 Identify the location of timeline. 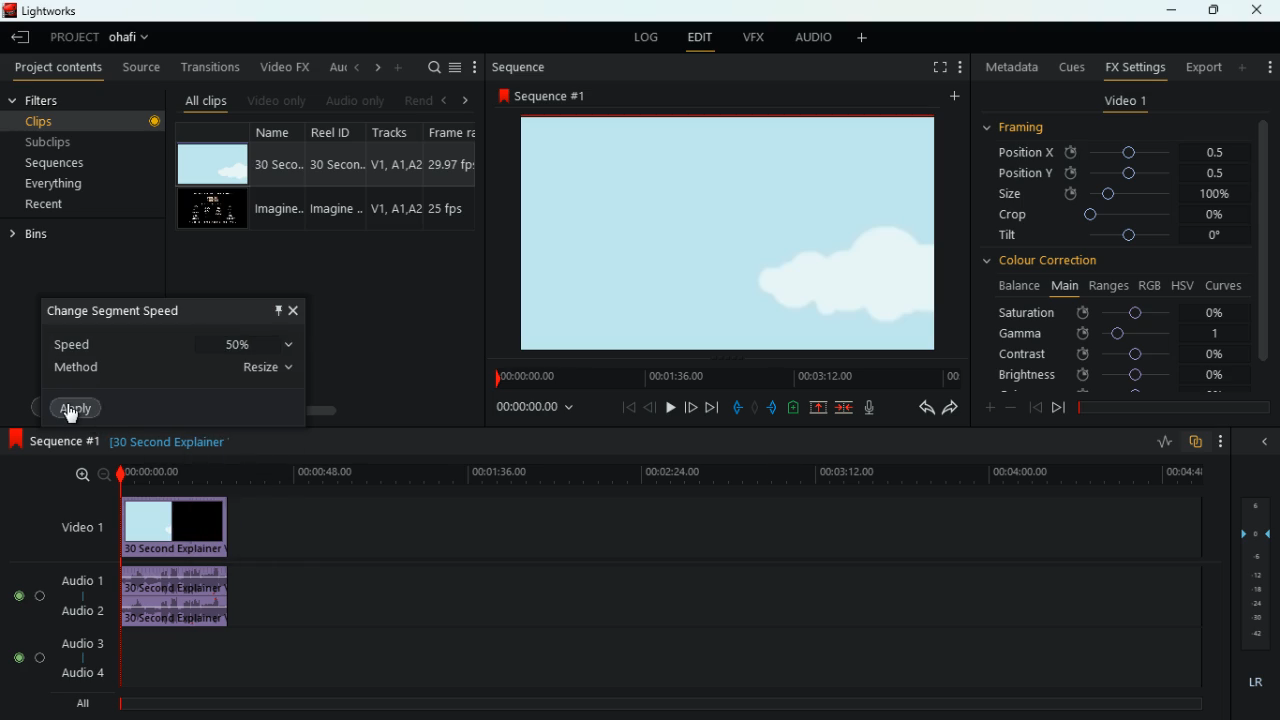
(1170, 405).